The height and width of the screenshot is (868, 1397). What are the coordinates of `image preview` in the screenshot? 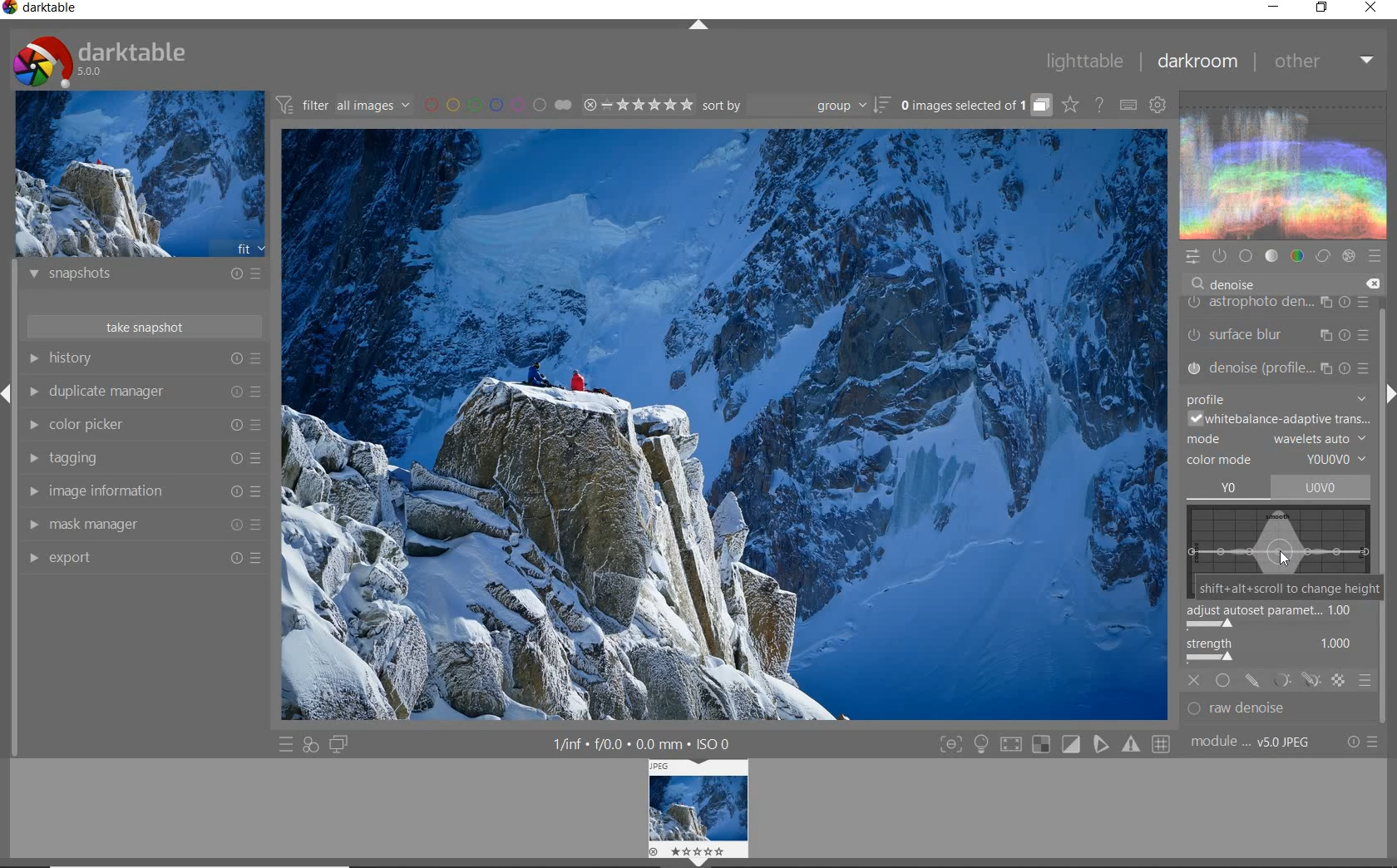 It's located at (139, 173).